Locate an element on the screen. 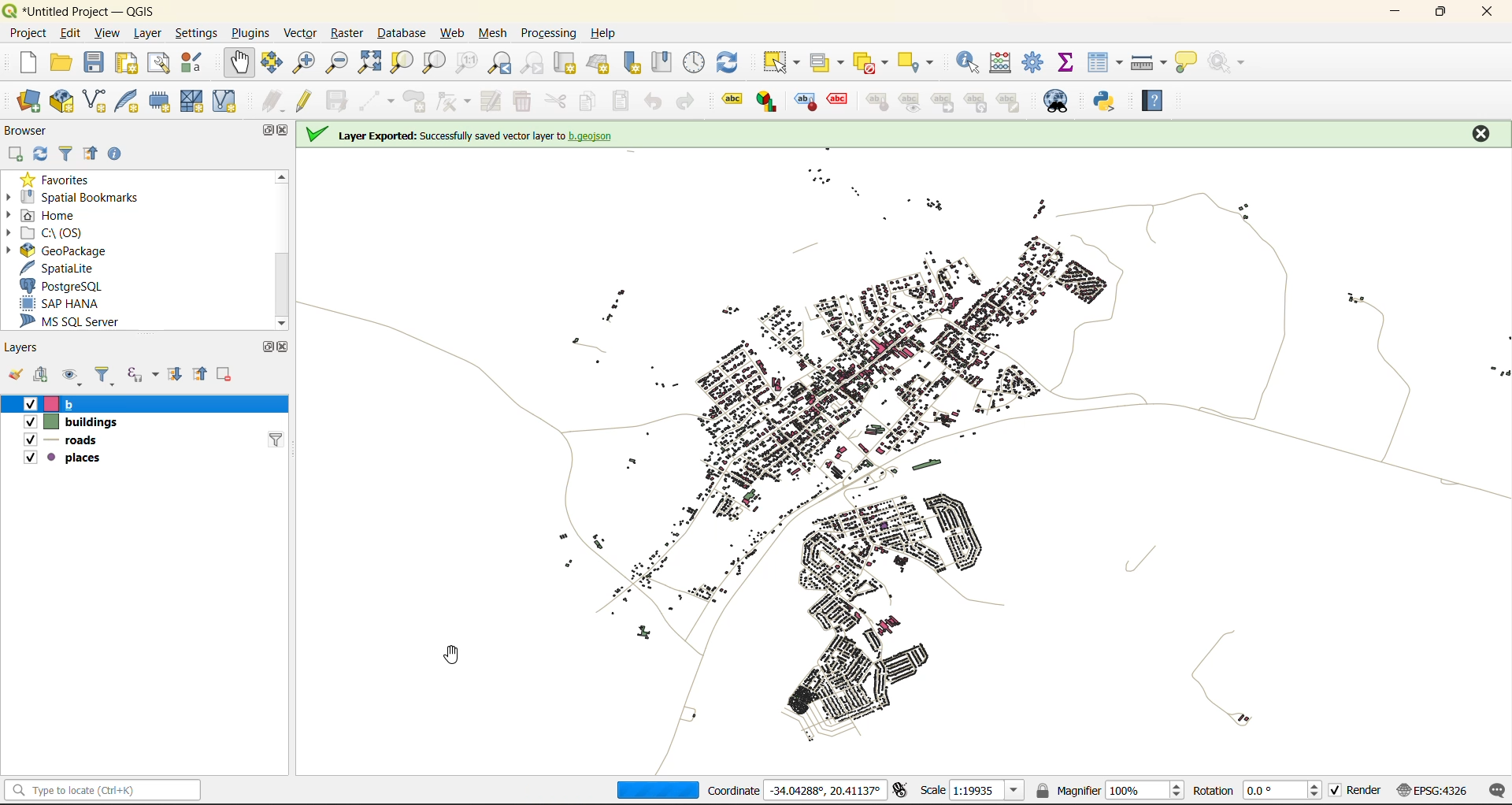 This screenshot has width=1512, height=805. close is located at coordinates (284, 347).